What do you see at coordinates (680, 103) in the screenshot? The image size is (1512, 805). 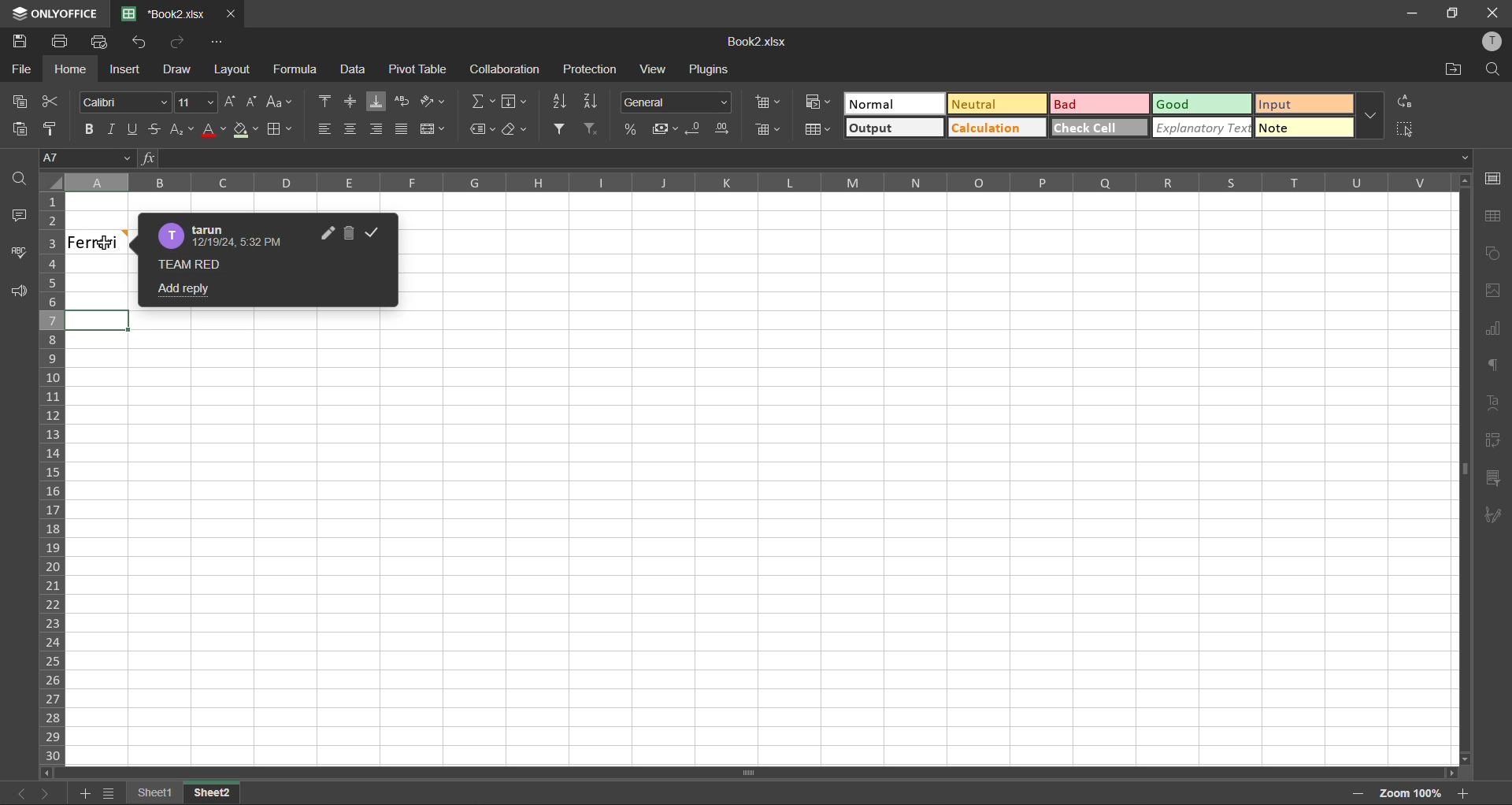 I see `number format` at bounding box center [680, 103].